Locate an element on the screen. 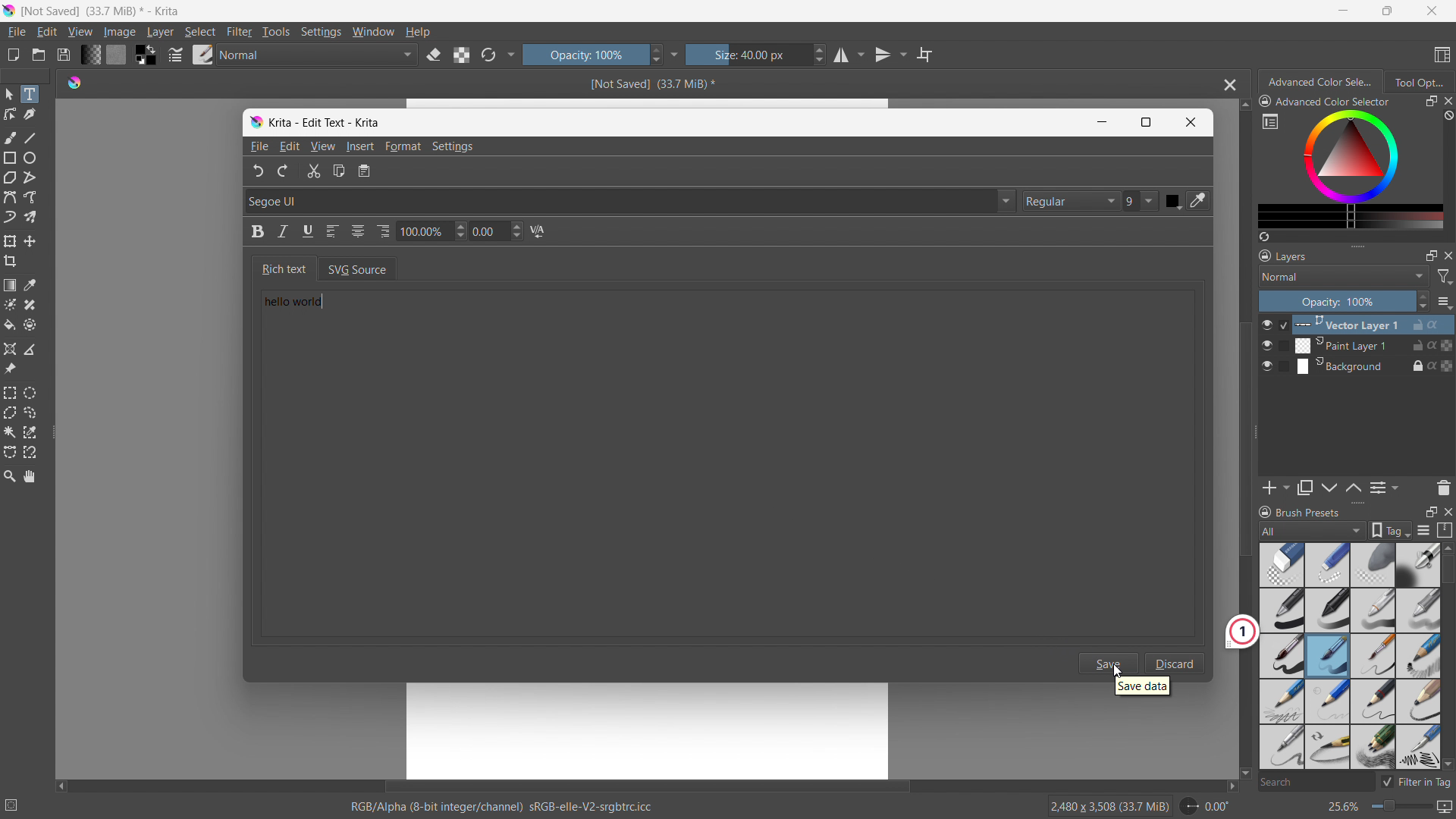  notepad is located at coordinates (372, 172).